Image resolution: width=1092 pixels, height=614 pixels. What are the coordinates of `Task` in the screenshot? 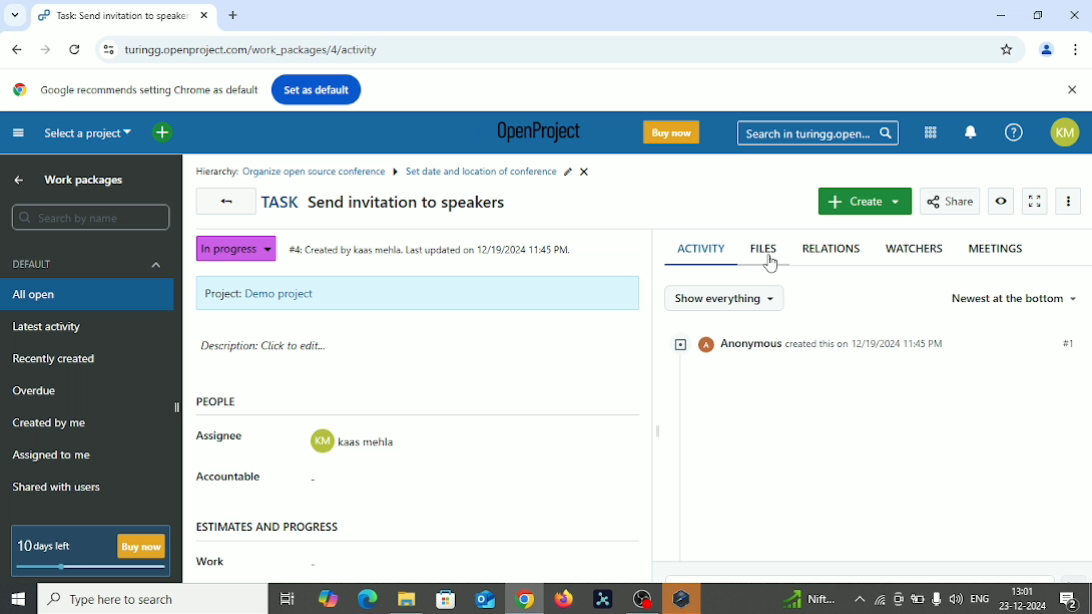 It's located at (385, 204).